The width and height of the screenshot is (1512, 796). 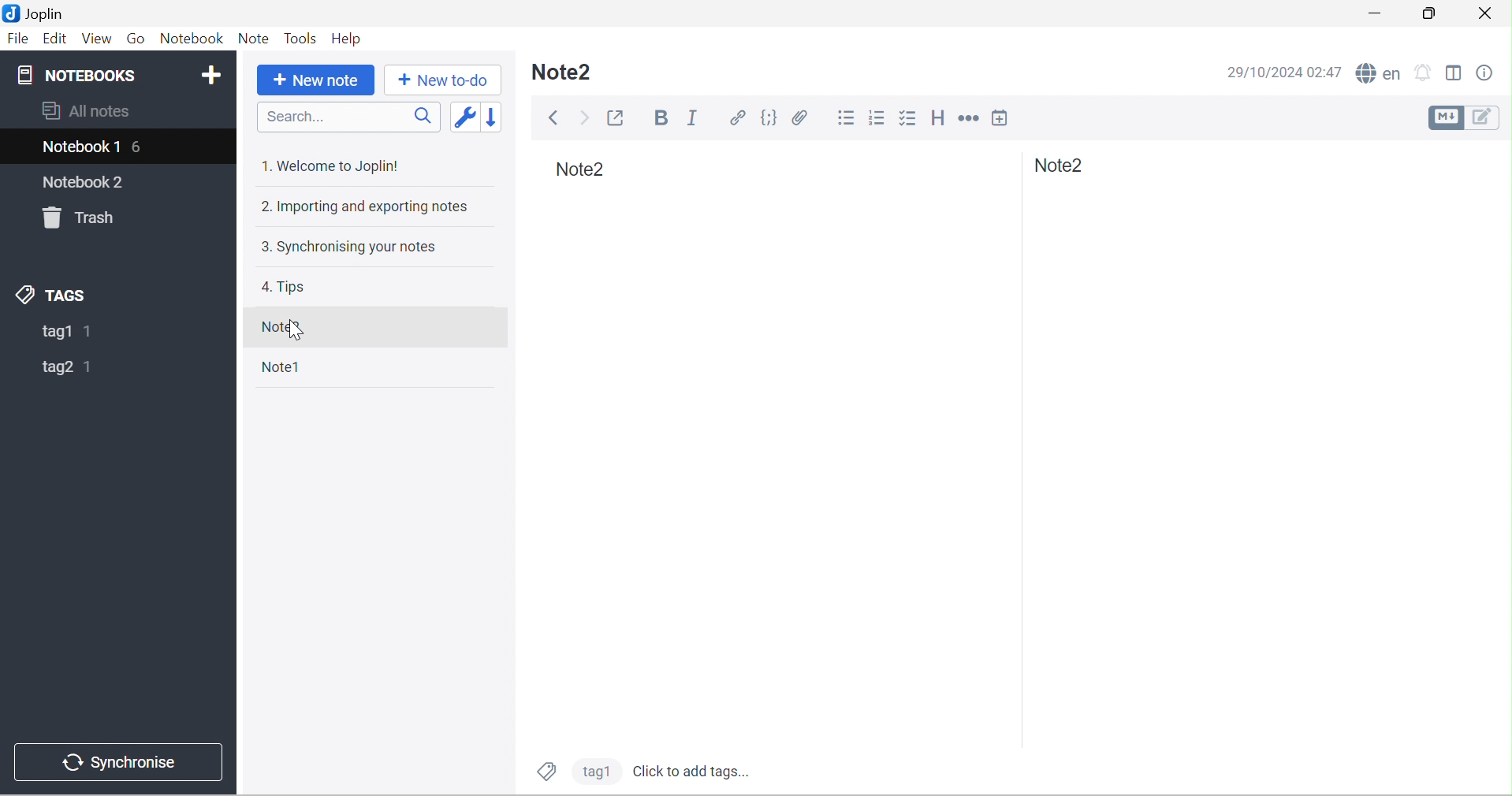 What do you see at coordinates (255, 39) in the screenshot?
I see `Note` at bounding box center [255, 39].